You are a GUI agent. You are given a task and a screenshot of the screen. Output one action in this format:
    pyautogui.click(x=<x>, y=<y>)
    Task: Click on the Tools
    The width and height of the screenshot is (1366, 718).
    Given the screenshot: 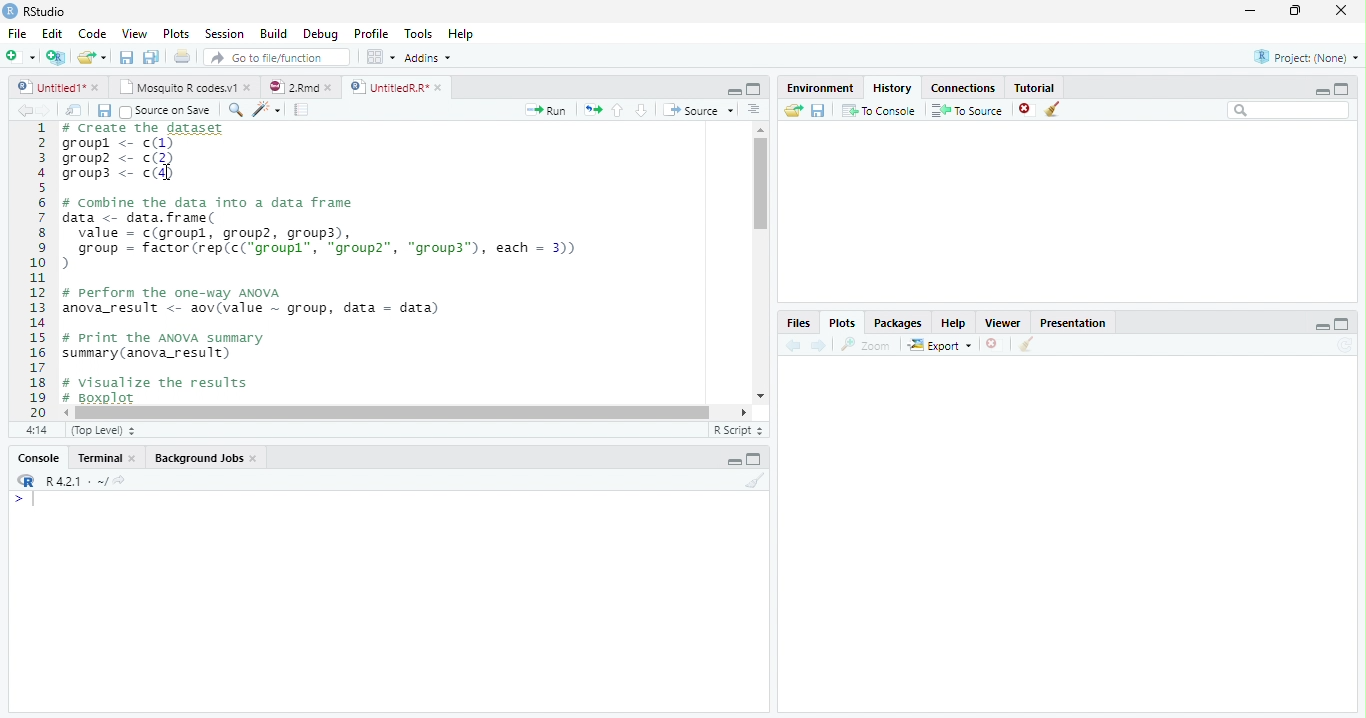 What is the action you would take?
    pyautogui.click(x=420, y=33)
    